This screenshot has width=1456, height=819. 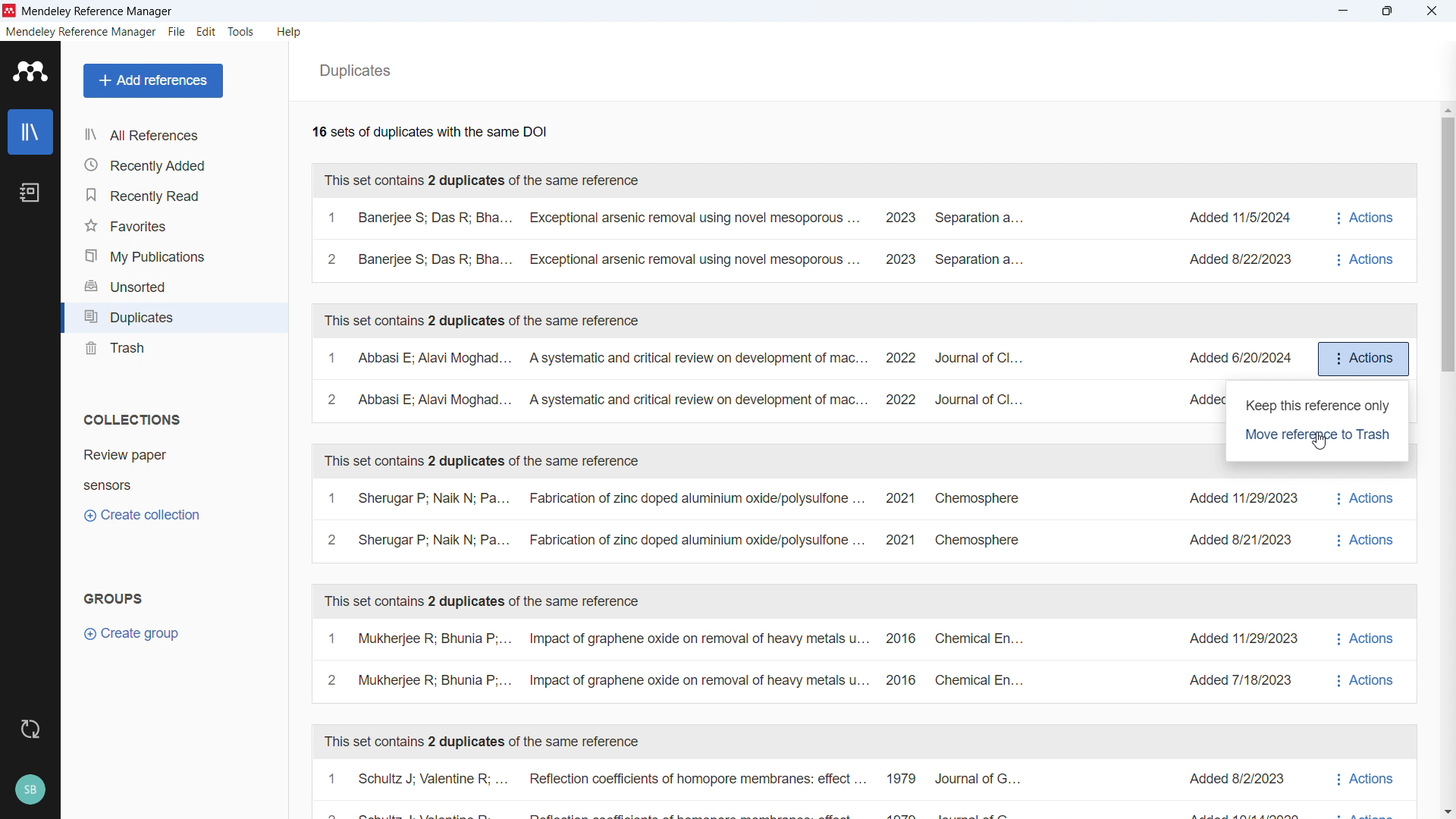 I want to click on profile, so click(x=29, y=789).